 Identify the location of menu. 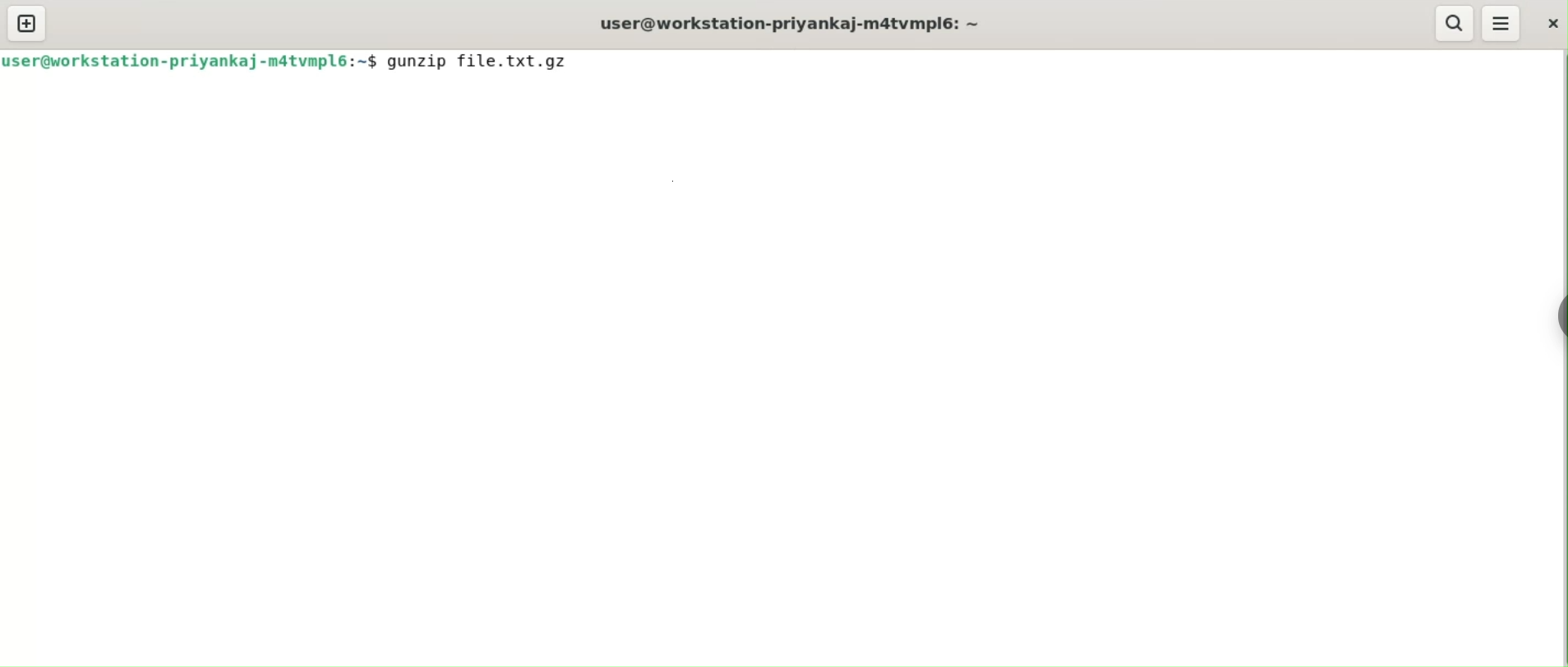
(1499, 23).